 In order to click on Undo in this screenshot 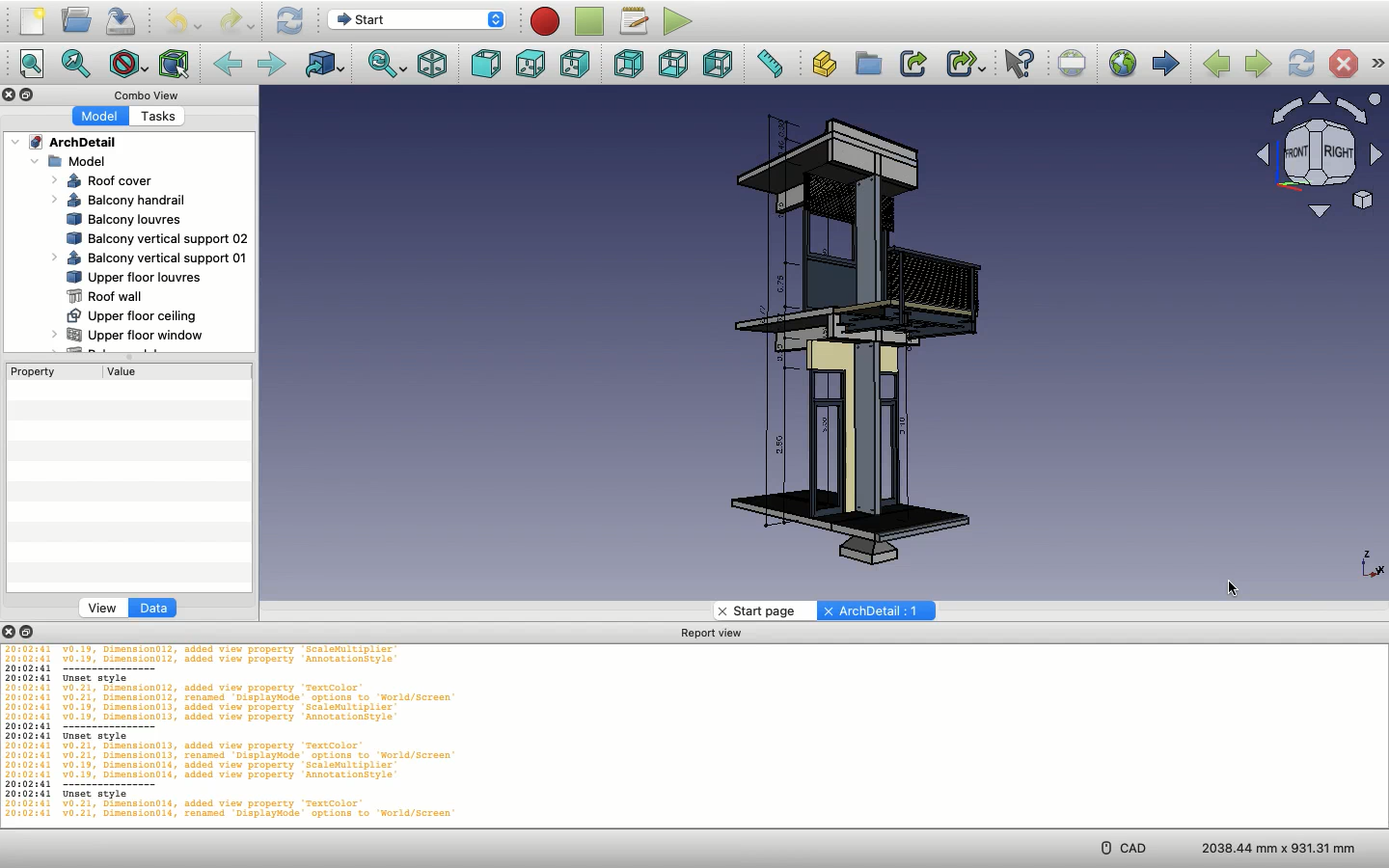, I will do `click(183, 21)`.